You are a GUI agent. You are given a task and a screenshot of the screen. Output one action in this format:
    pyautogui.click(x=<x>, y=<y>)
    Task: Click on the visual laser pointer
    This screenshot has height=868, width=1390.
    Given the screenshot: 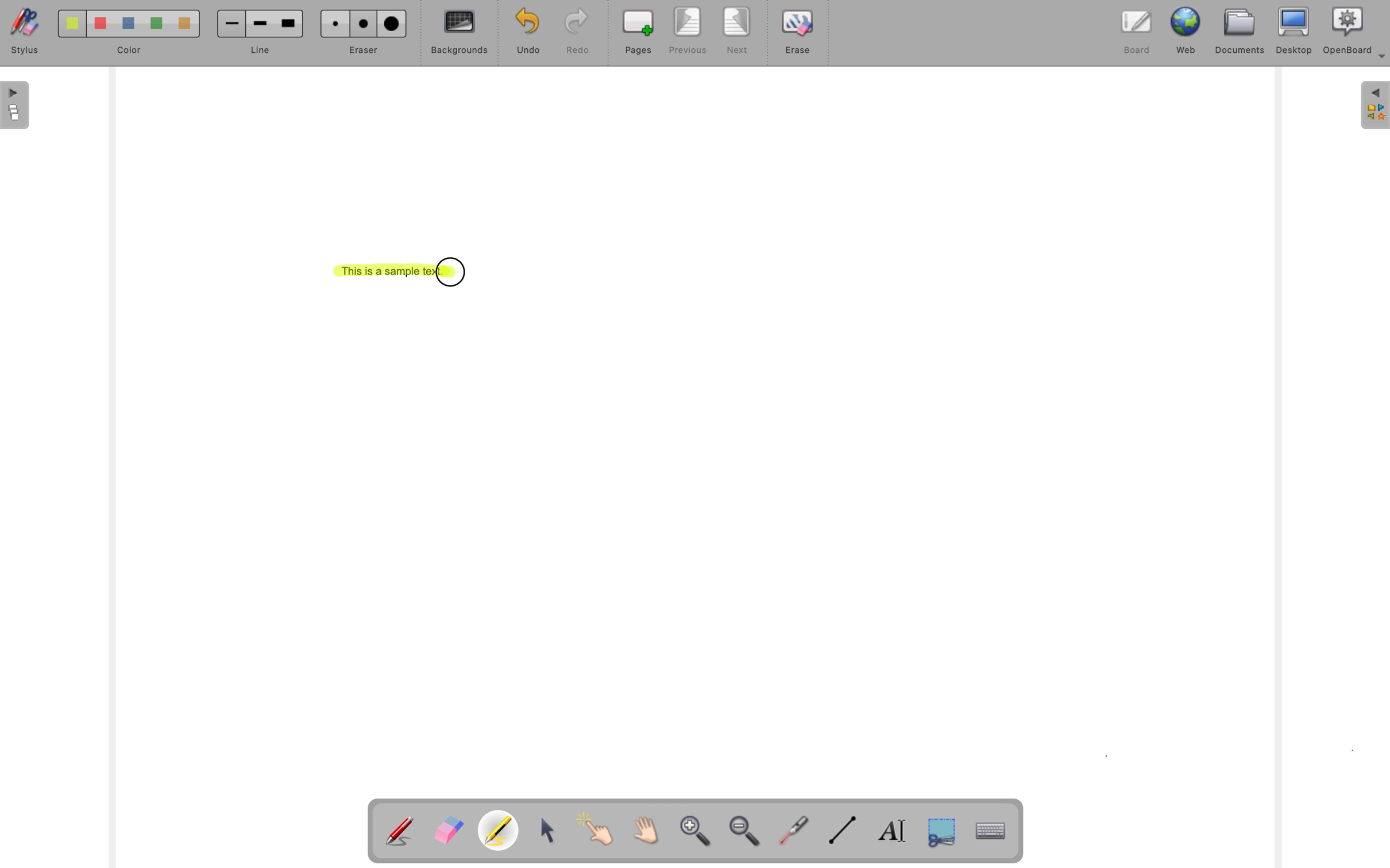 What is the action you would take?
    pyautogui.click(x=796, y=832)
    